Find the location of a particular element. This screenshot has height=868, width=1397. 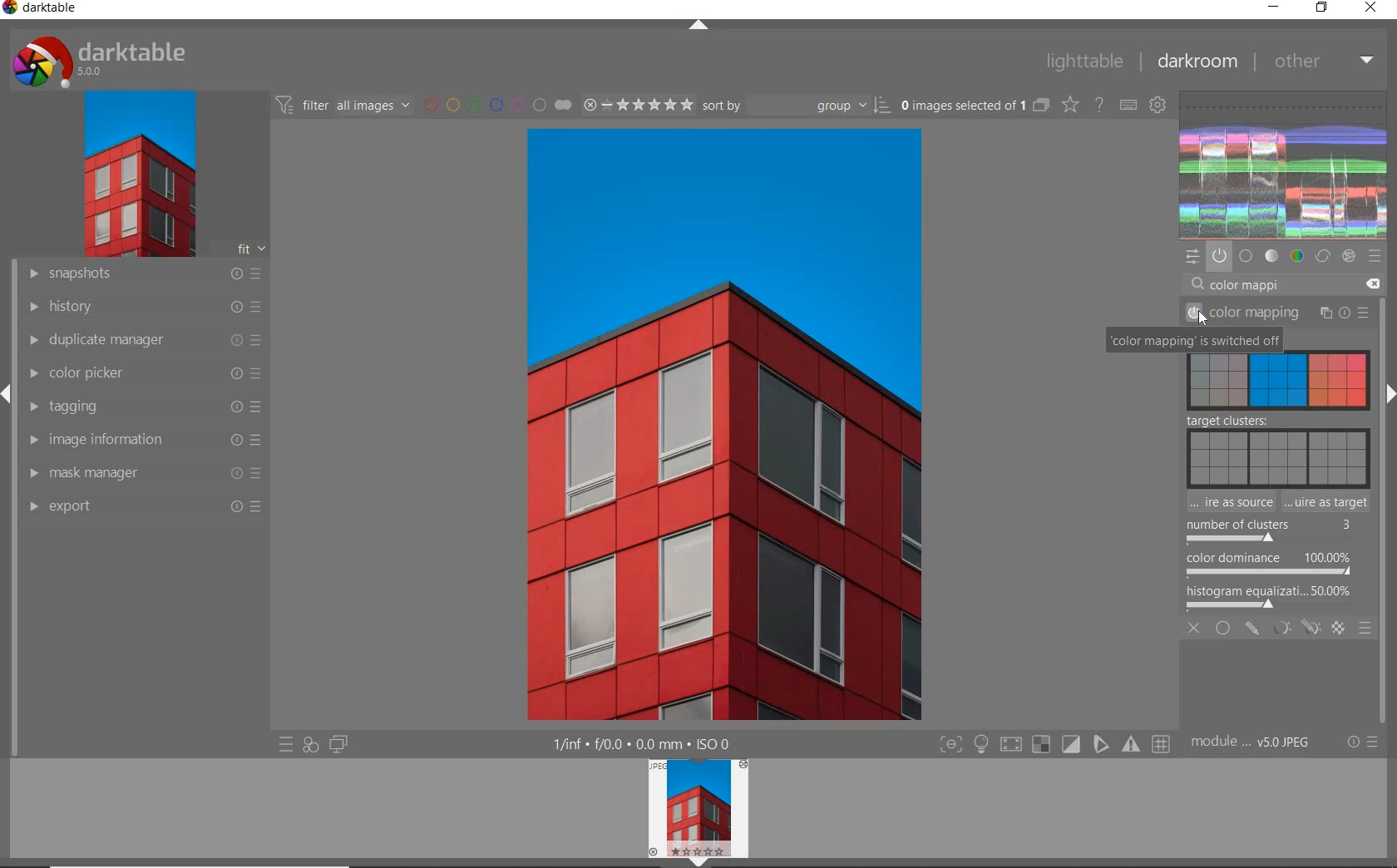

expand/collapse is located at coordinates (698, 24).